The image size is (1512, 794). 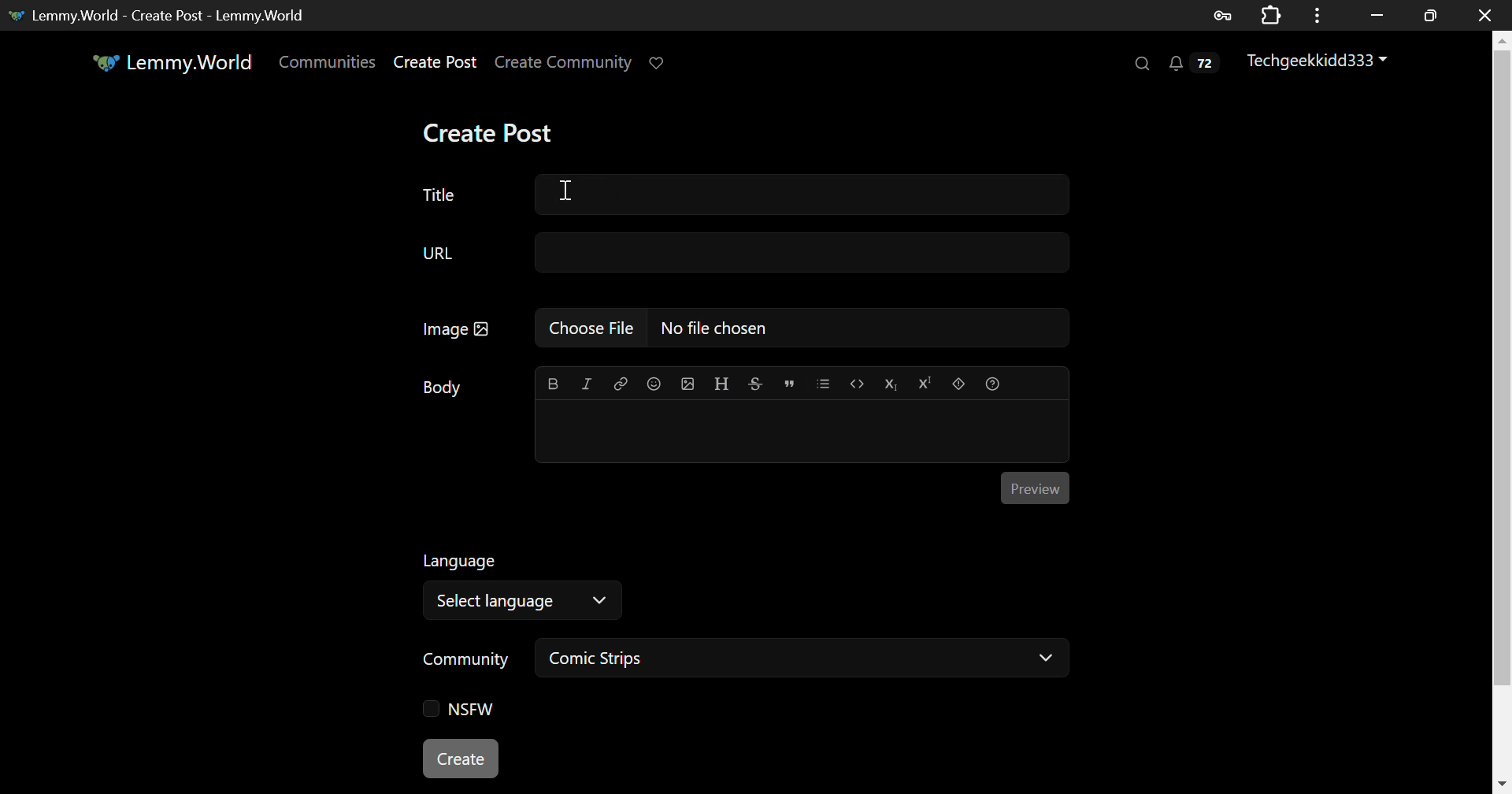 What do you see at coordinates (164, 15) in the screenshot?
I see `Lemmy.World - Create Post - Lemmy.World` at bounding box center [164, 15].